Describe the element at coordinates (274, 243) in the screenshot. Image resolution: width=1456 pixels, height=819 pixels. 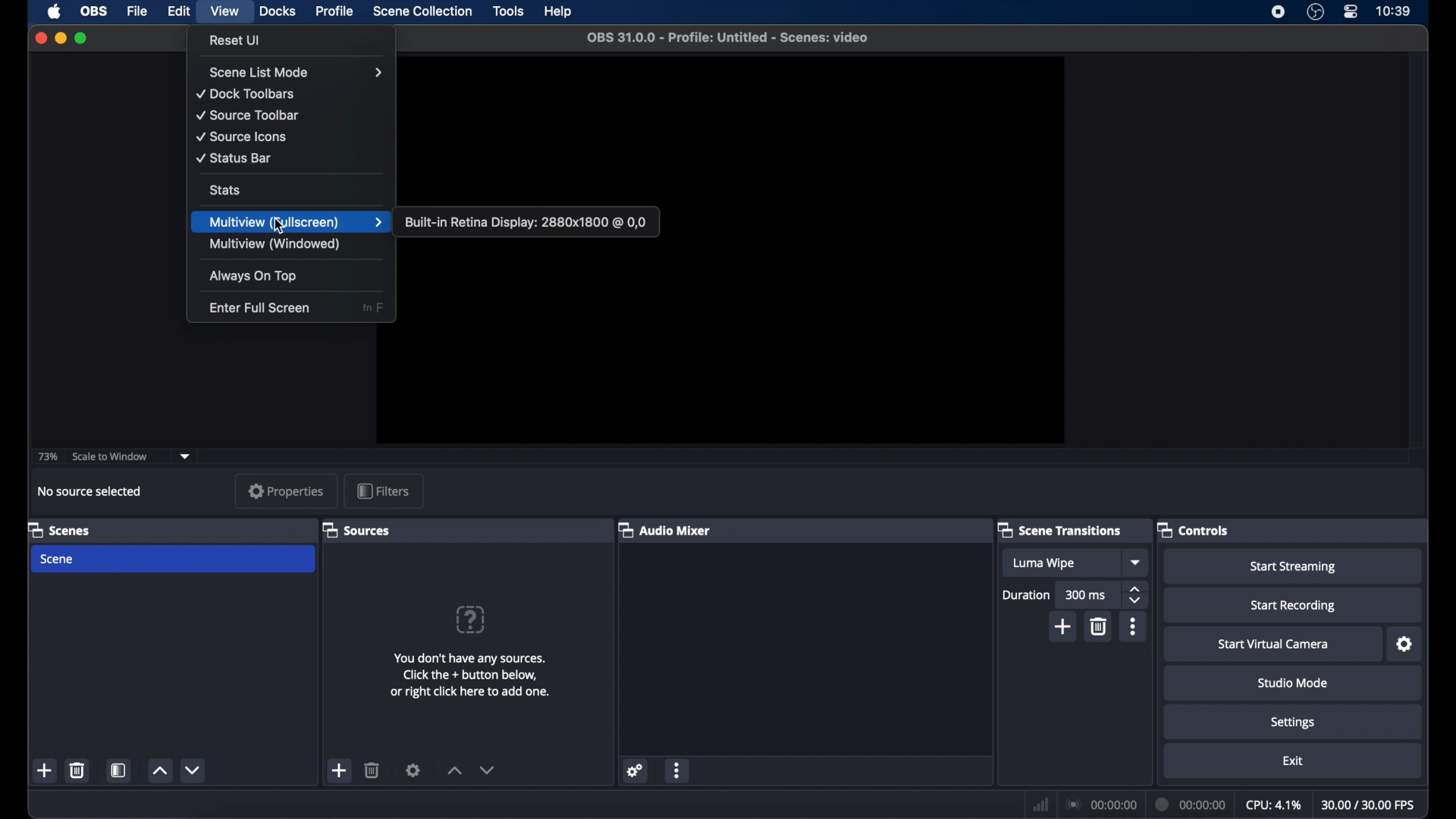
I see `multiview (windowed)` at that location.